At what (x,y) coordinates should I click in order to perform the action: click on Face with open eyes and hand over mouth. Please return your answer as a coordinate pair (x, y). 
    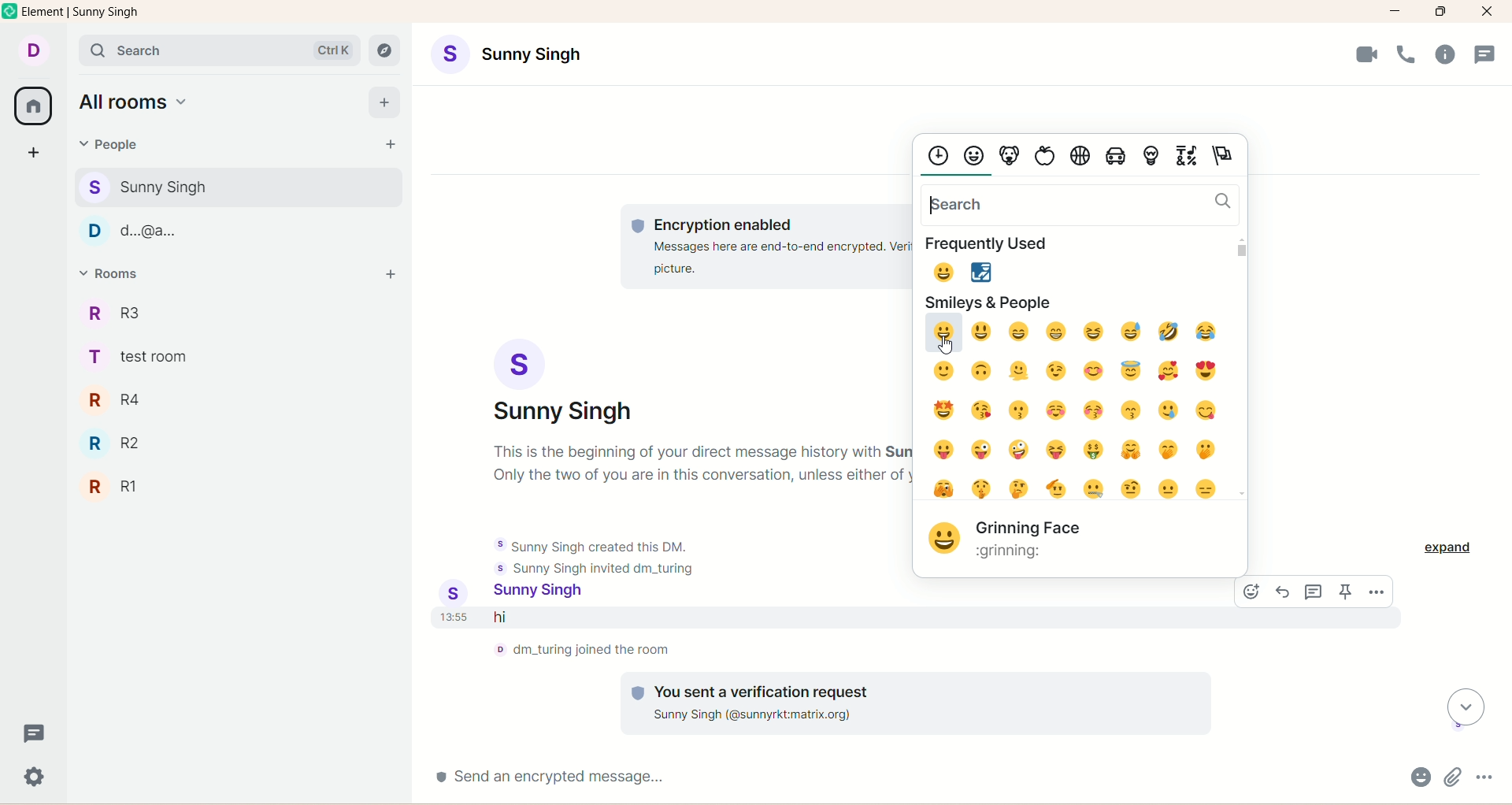
    Looking at the image, I should click on (1206, 450).